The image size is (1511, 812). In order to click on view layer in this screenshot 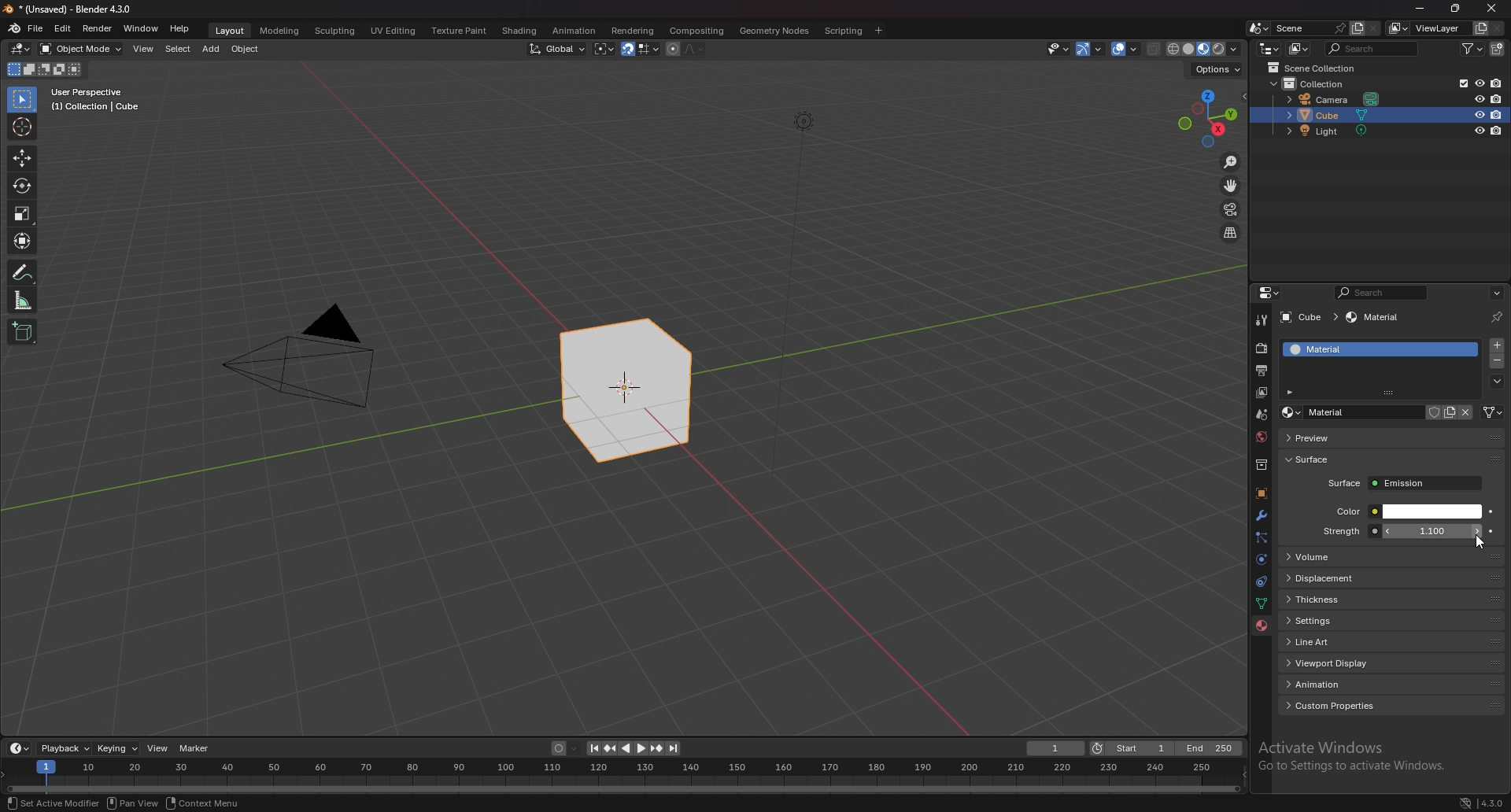, I will do `click(1429, 28)`.